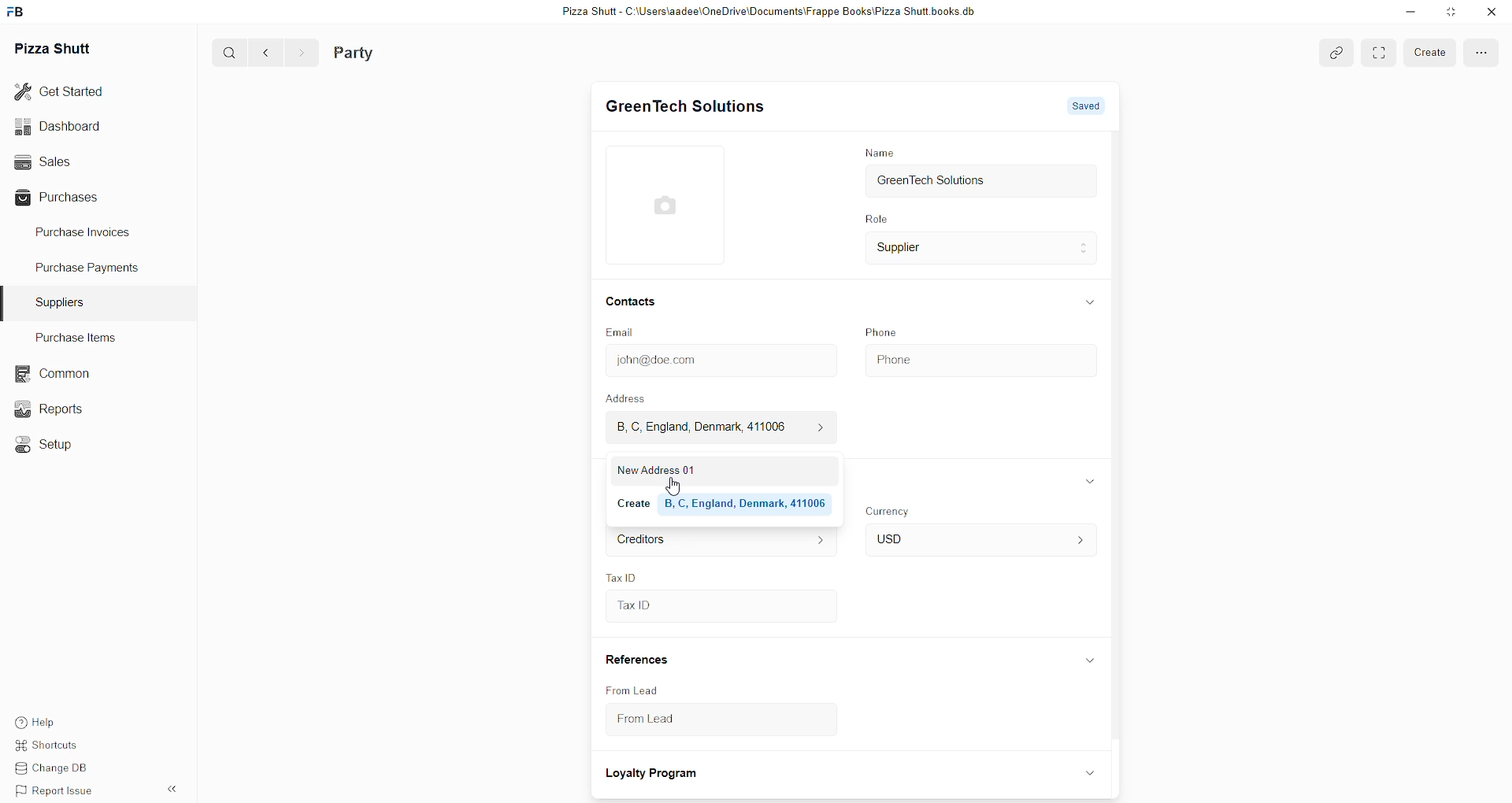 The width and height of the screenshot is (1512, 803). I want to click on Contacts, so click(632, 303).